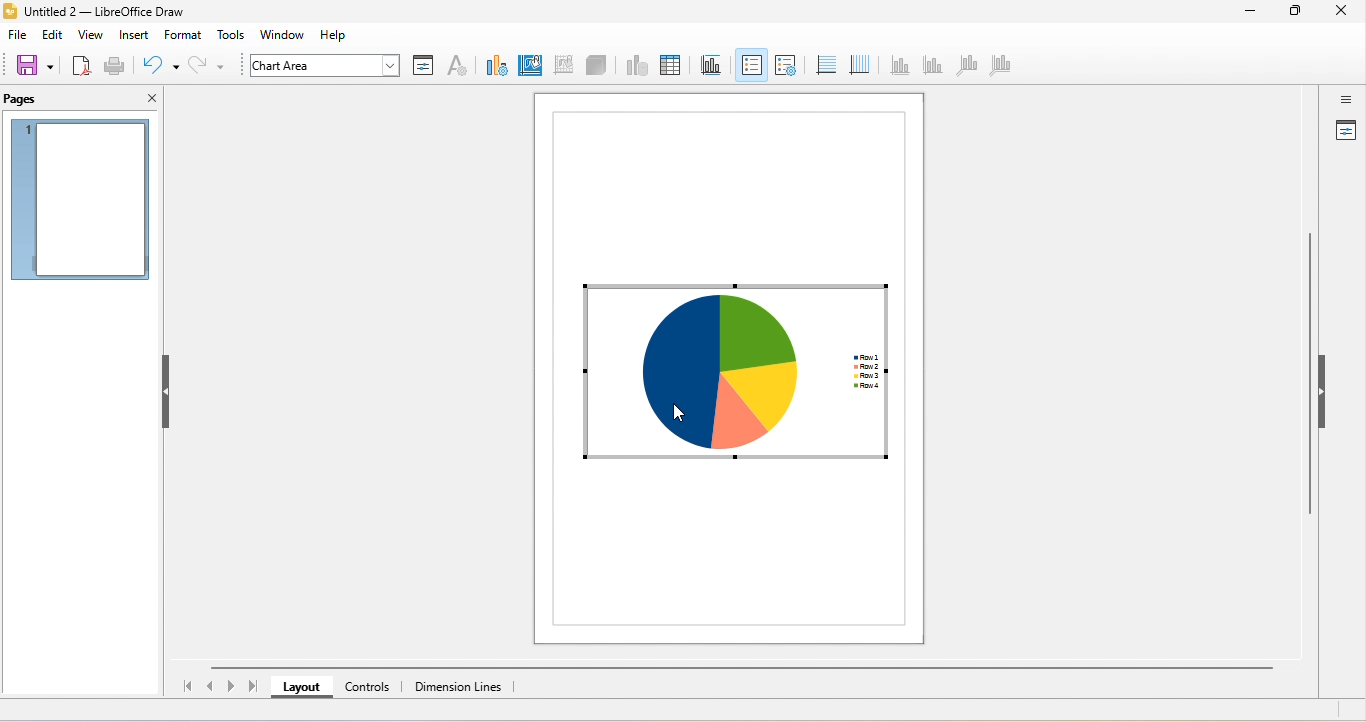 This screenshot has height=722, width=1366. What do you see at coordinates (999, 68) in the screenshot?
I see `allaxes` at bounding box center [999, 68].